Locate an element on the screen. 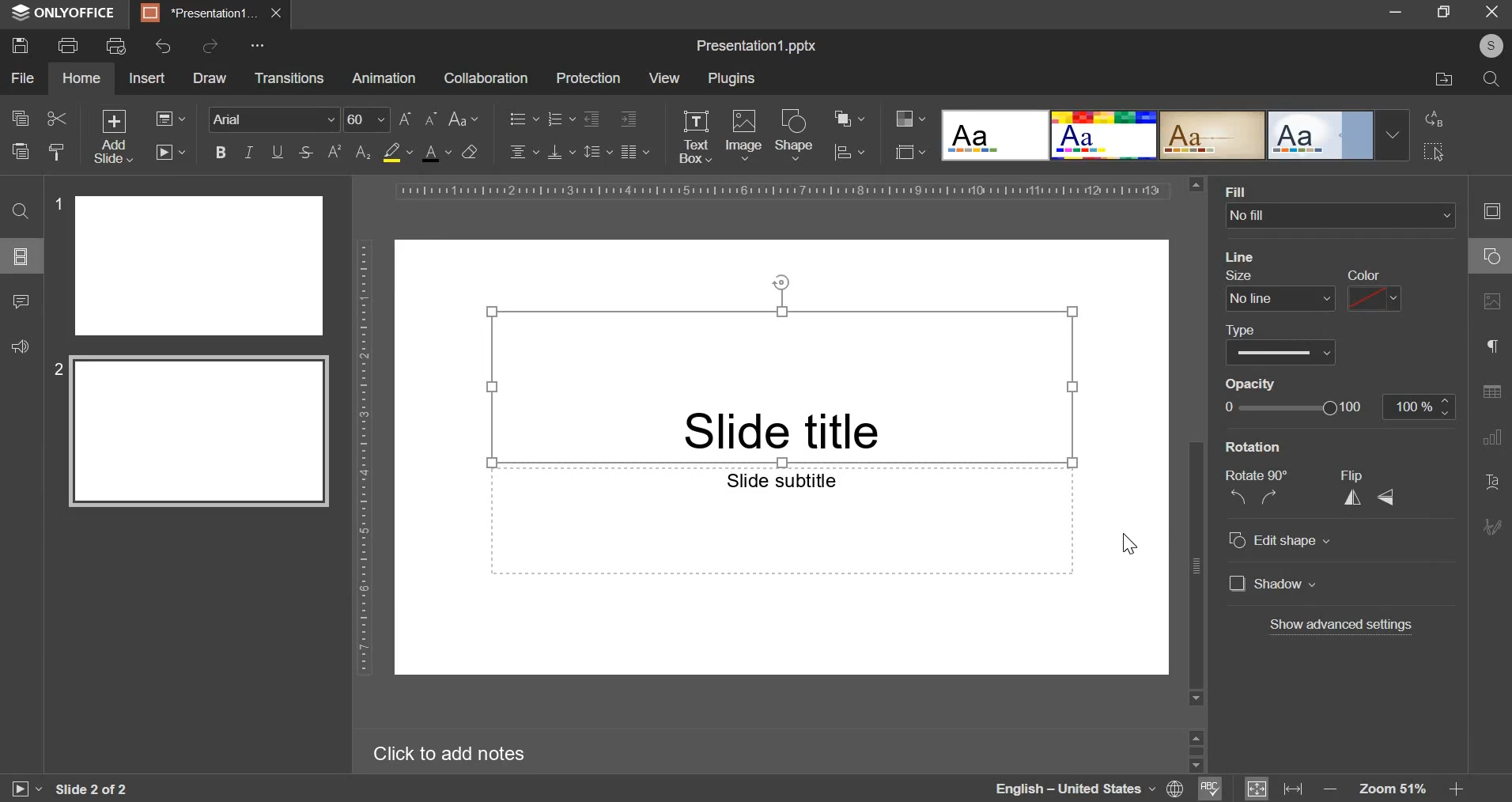 Image resolution: width=1512 pixels, height=802 pixels. chart settings is located at coordinates (1492, 437).